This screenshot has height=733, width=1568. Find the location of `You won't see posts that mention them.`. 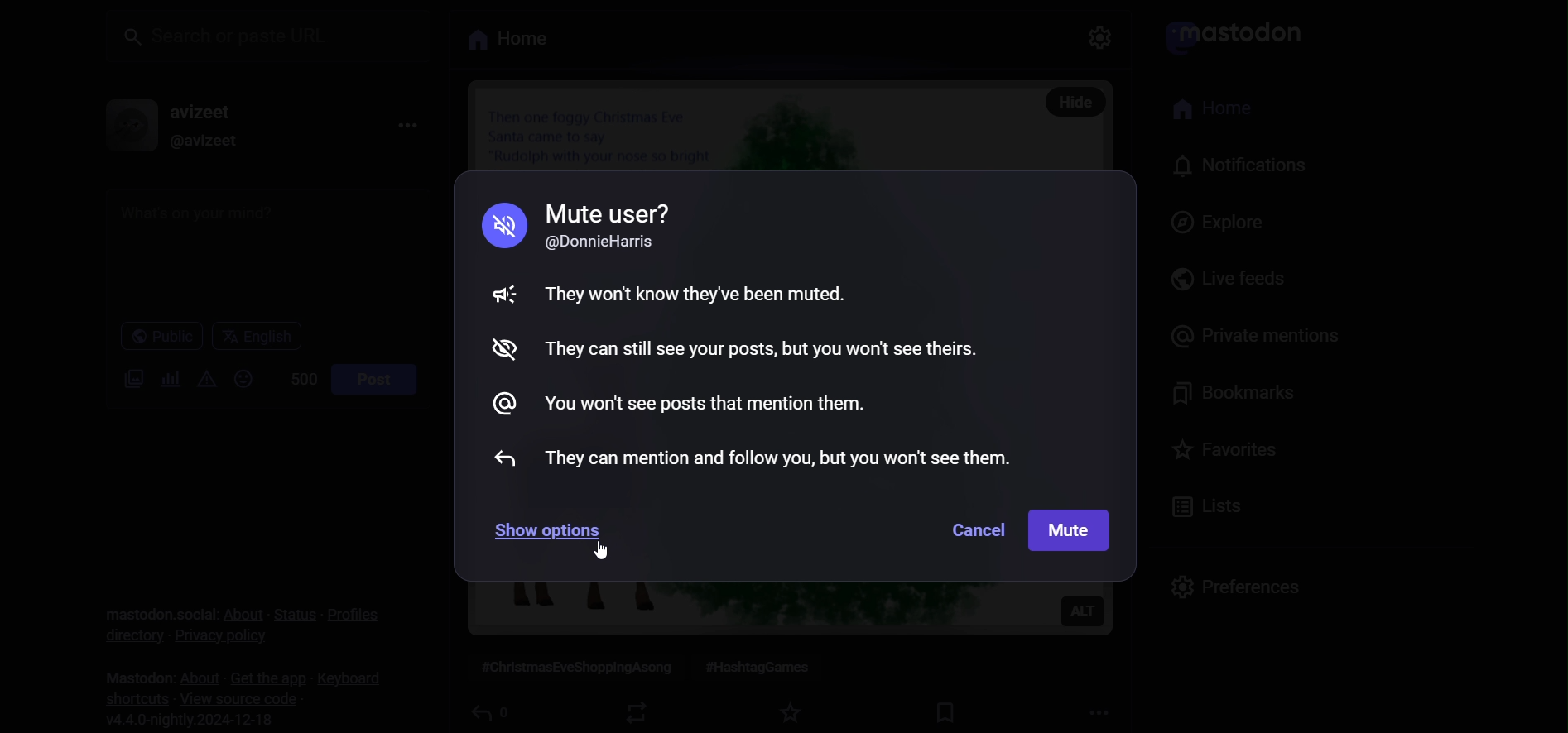

You won't see posts that mention them. is located at coordinates (701, 401).